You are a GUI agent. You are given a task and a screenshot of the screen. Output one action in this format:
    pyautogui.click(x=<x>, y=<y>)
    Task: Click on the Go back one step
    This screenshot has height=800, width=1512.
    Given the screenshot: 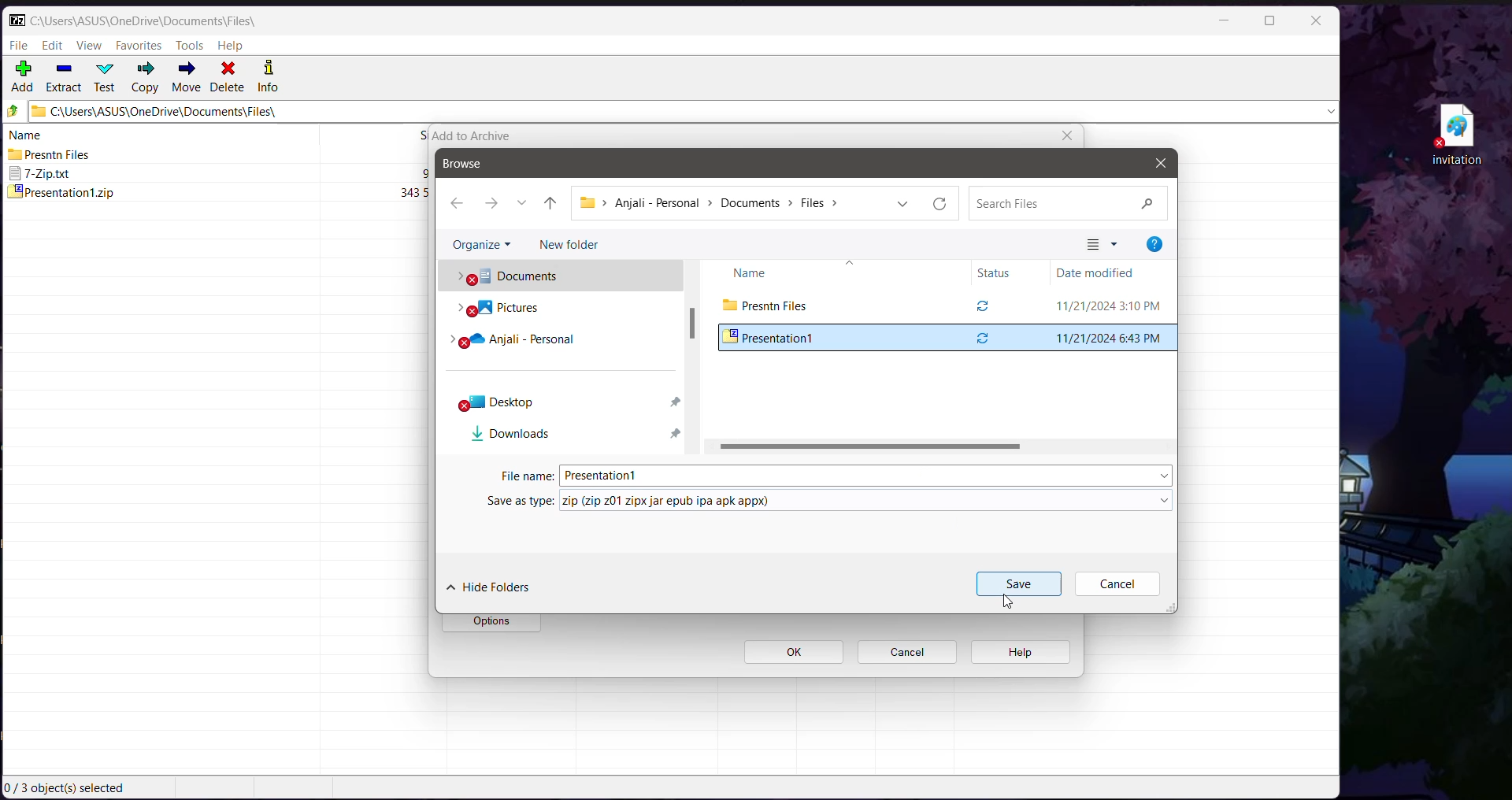 What is the action you would take?
    pyautogui.click(x=454, y=205)
    